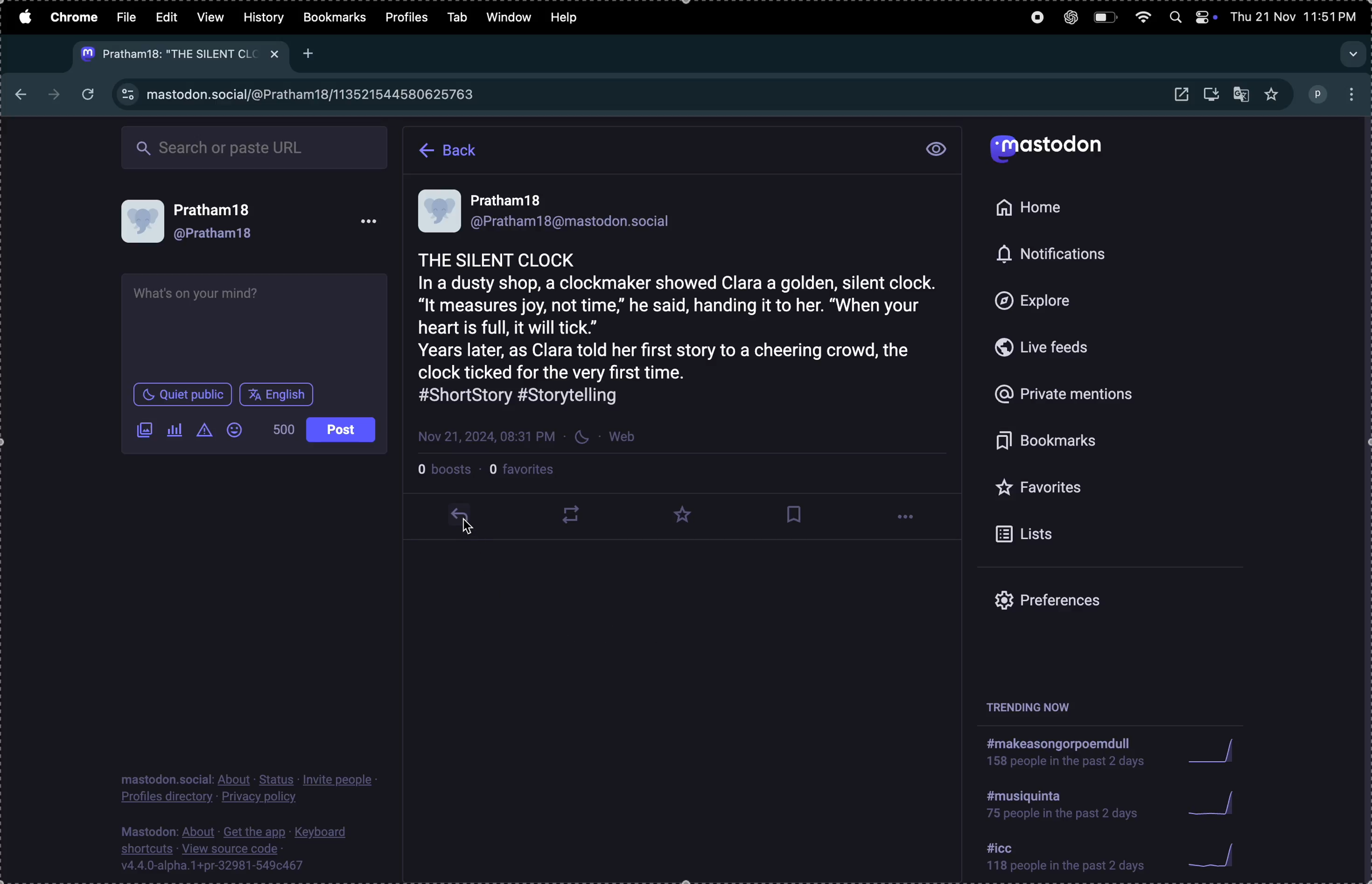  I want to click on list, so click(1078, 534).